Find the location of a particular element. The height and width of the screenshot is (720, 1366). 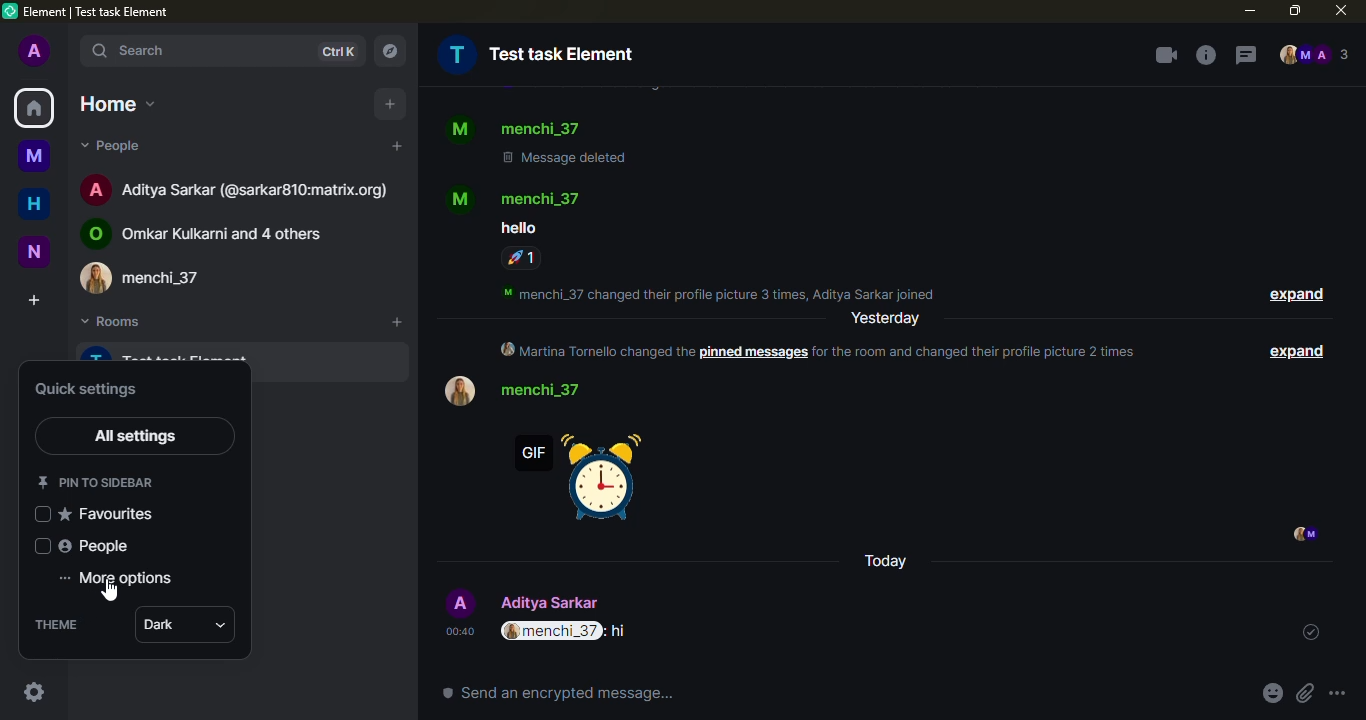

gif is located at coordinates (578, 480).